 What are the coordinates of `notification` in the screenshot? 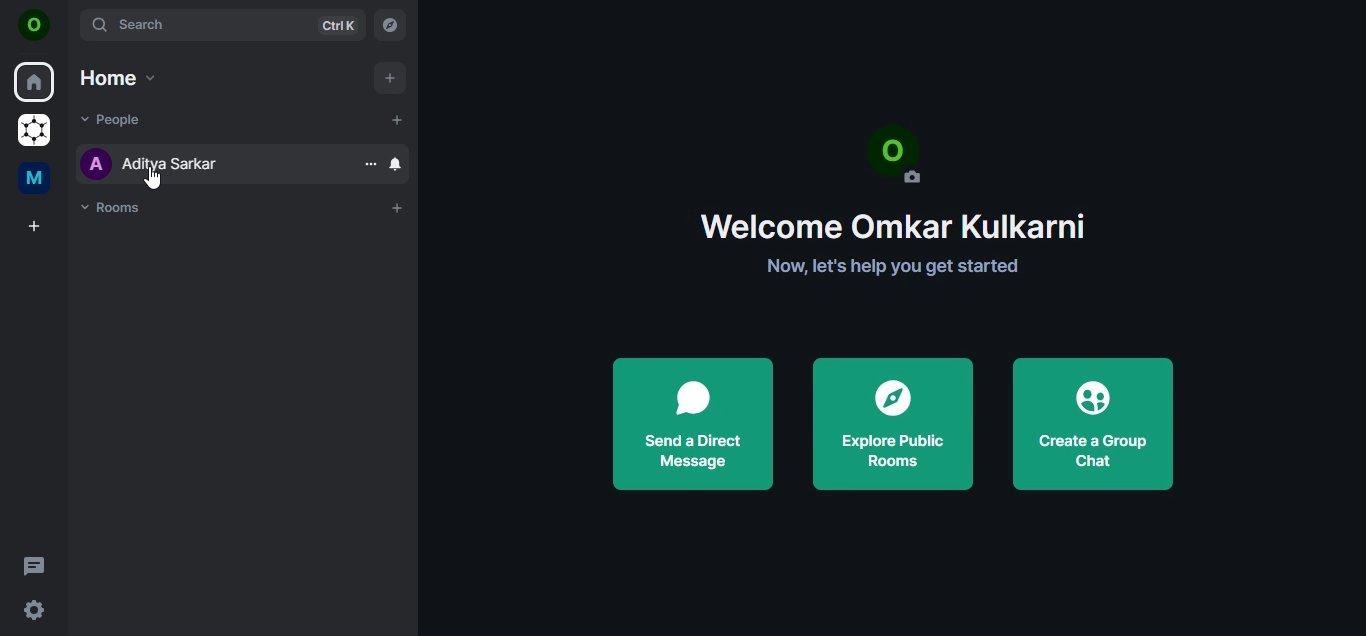 It's located at (398, 165).